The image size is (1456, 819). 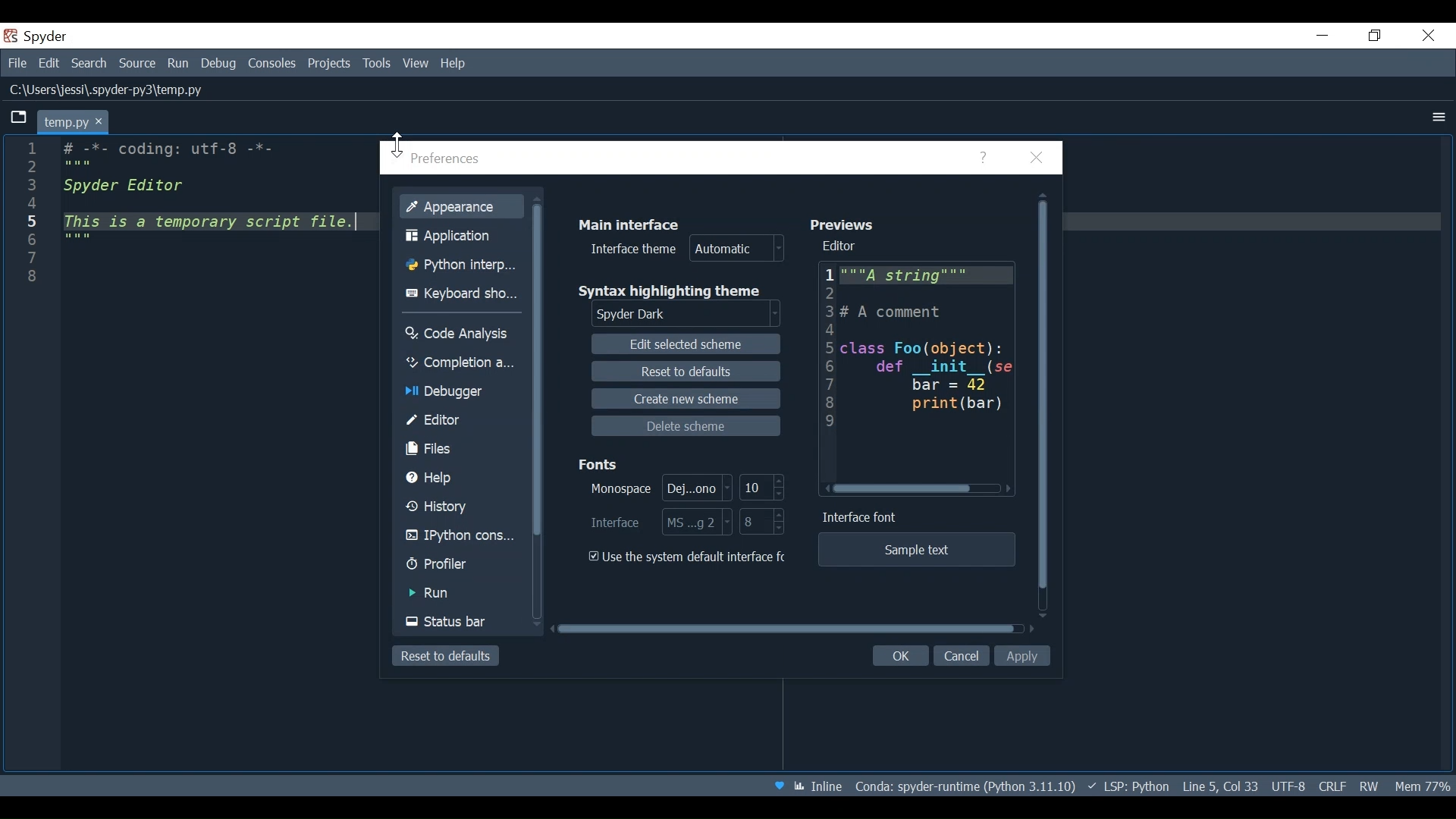 I want to click on Help, so click(x=459, y=480).